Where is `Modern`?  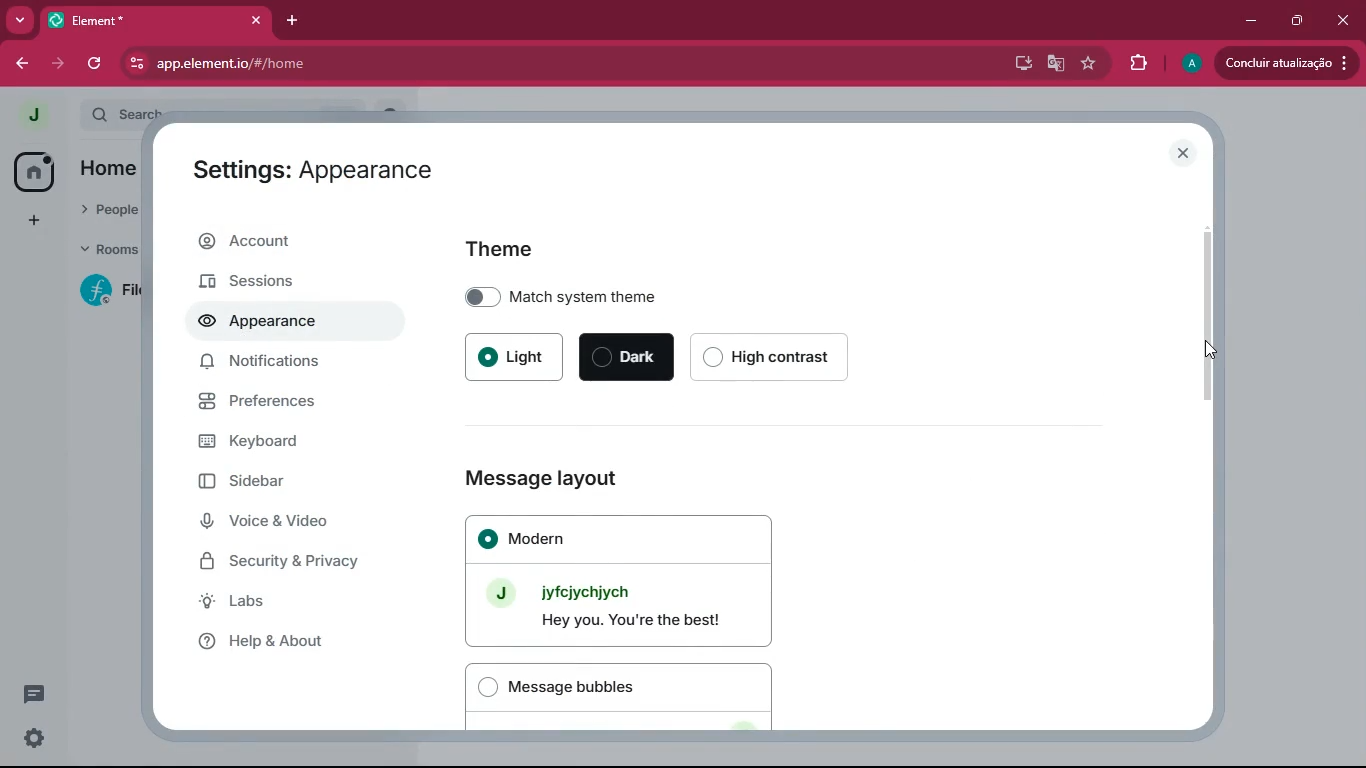 Modern is located at coordinates (619, 581).